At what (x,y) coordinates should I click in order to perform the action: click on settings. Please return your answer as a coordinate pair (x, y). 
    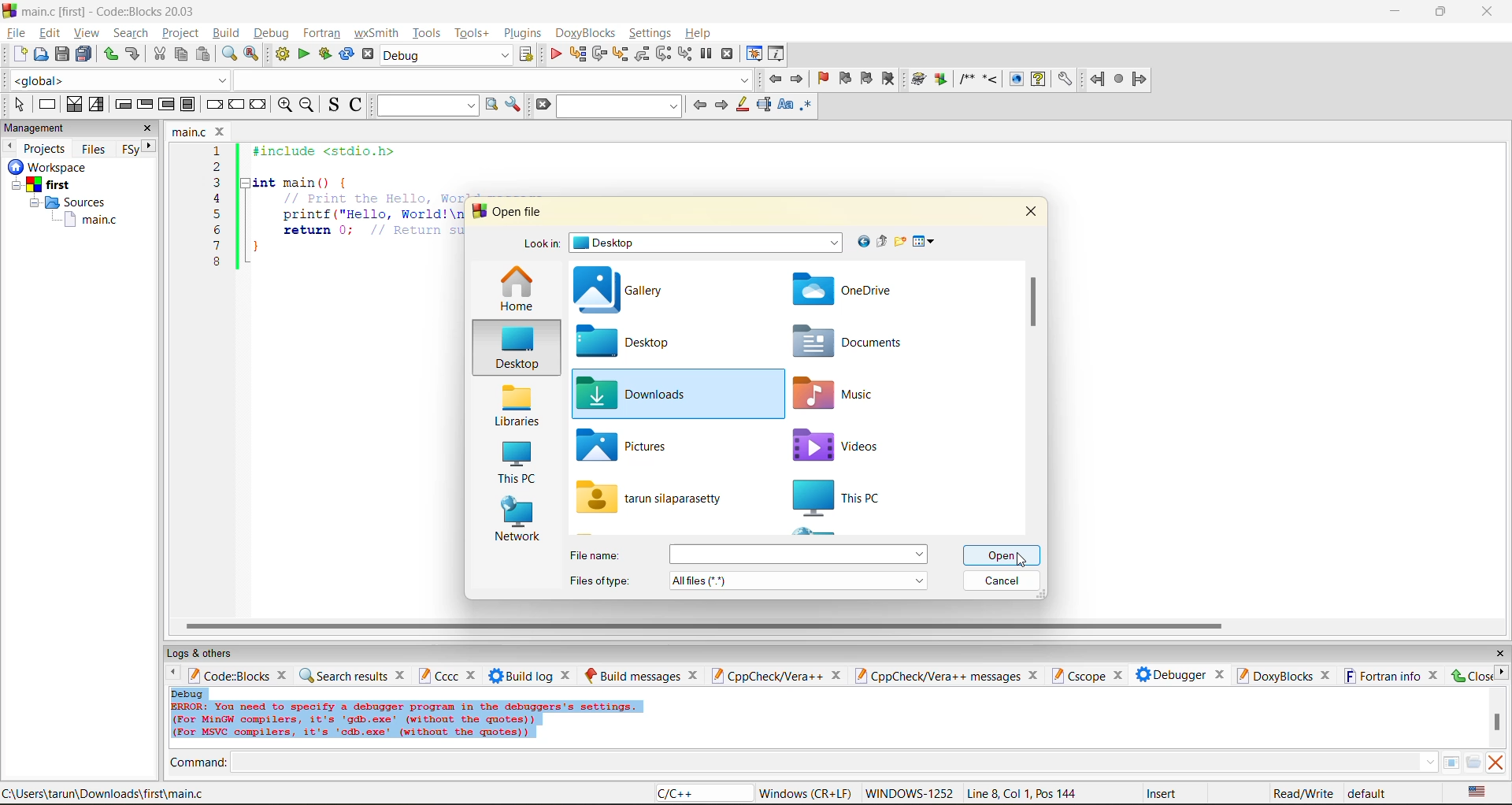
    Looking at the image, I should click on (651, 33).